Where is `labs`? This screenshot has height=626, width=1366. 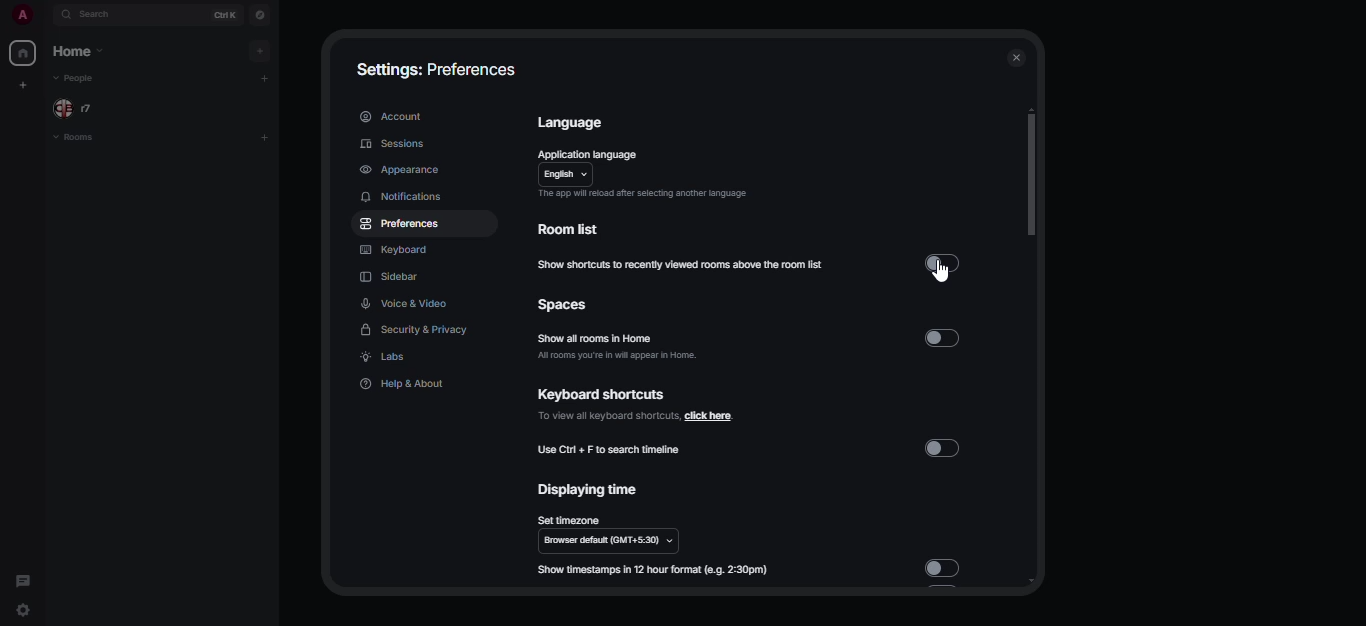 labs is located at coordinates (384, 356).